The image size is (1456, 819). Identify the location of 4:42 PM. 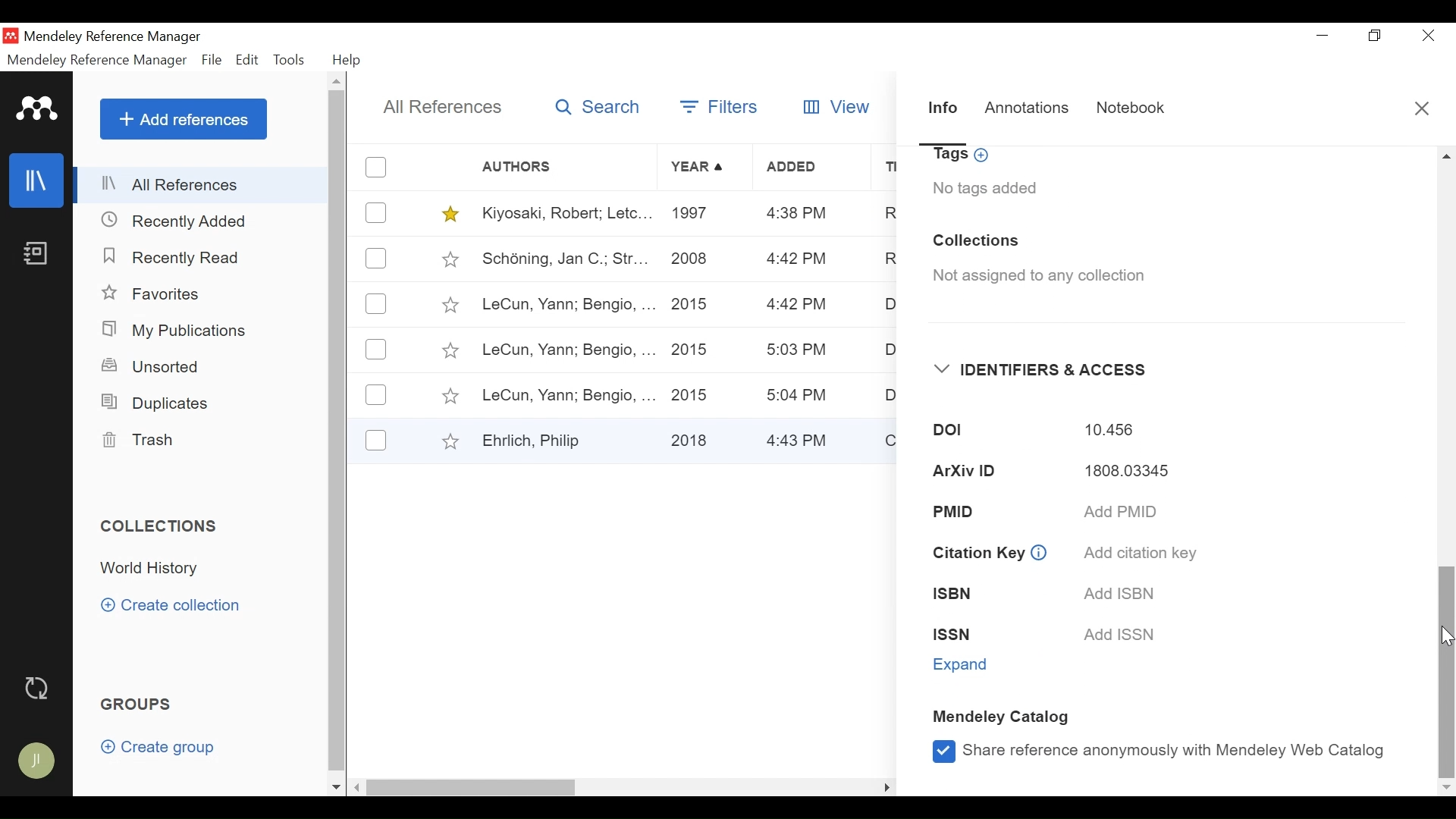
(796, 260).